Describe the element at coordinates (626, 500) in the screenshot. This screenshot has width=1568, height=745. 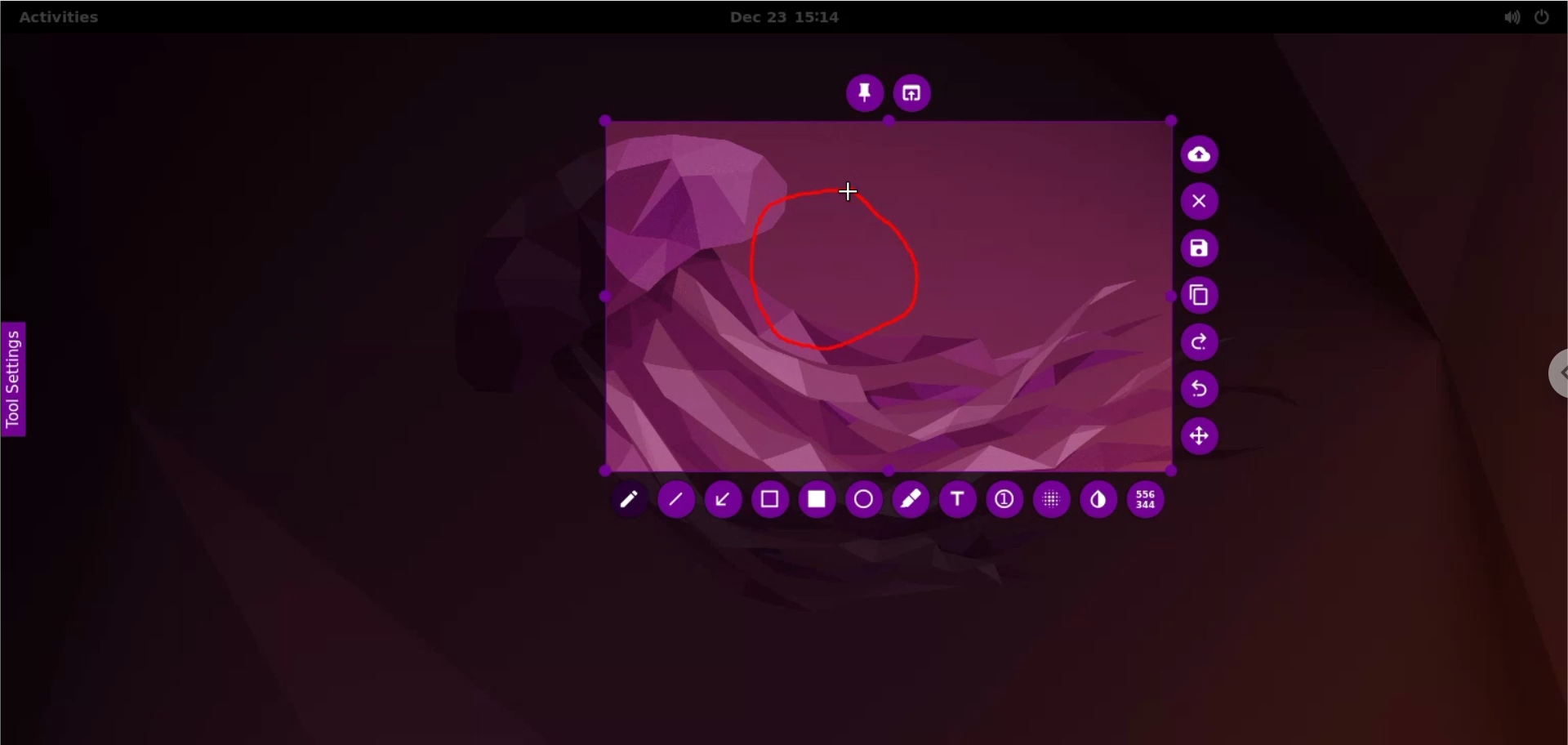
I see `pencil` at that location.